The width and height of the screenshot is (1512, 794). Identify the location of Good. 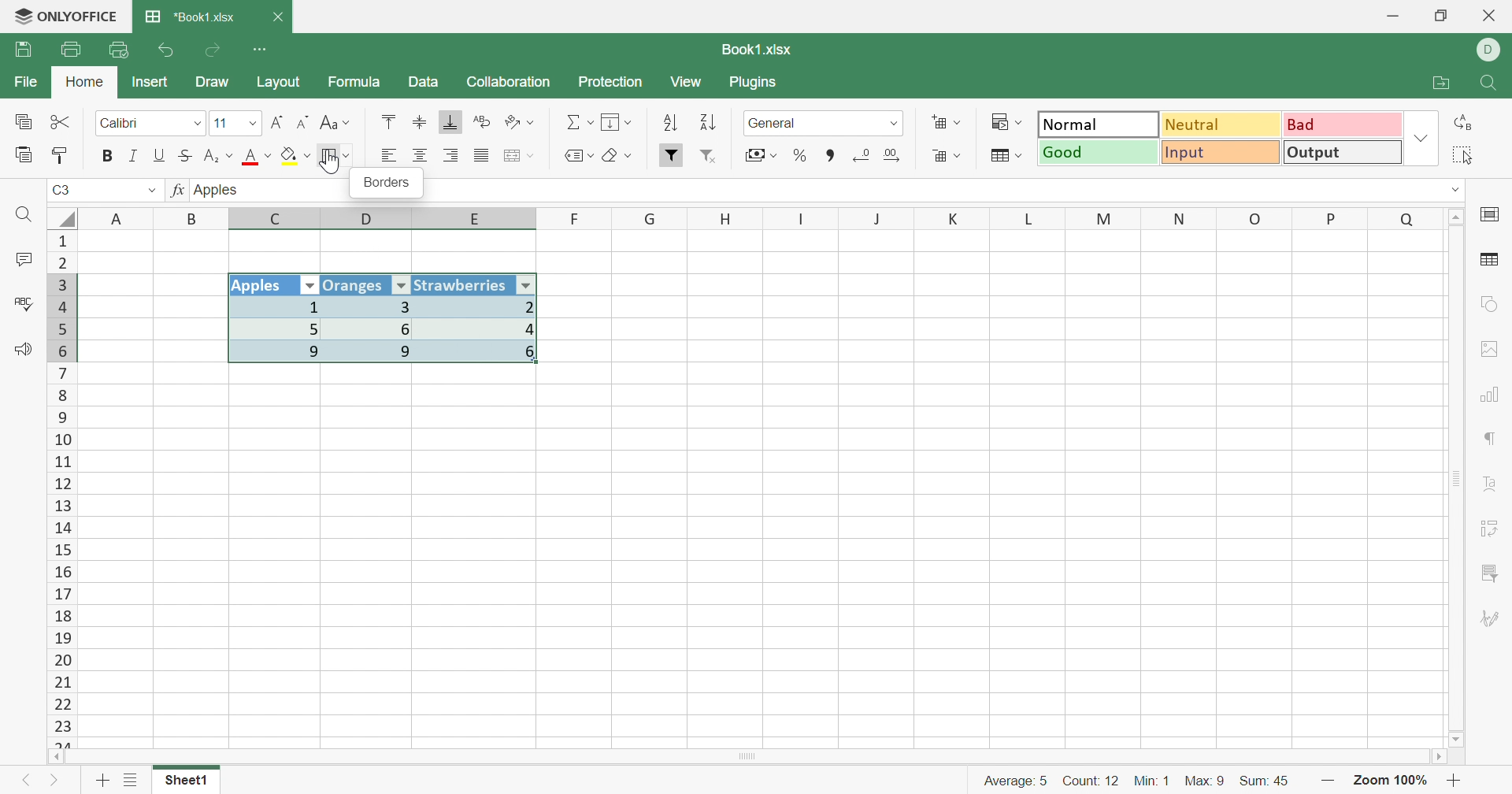
(1099, 153).